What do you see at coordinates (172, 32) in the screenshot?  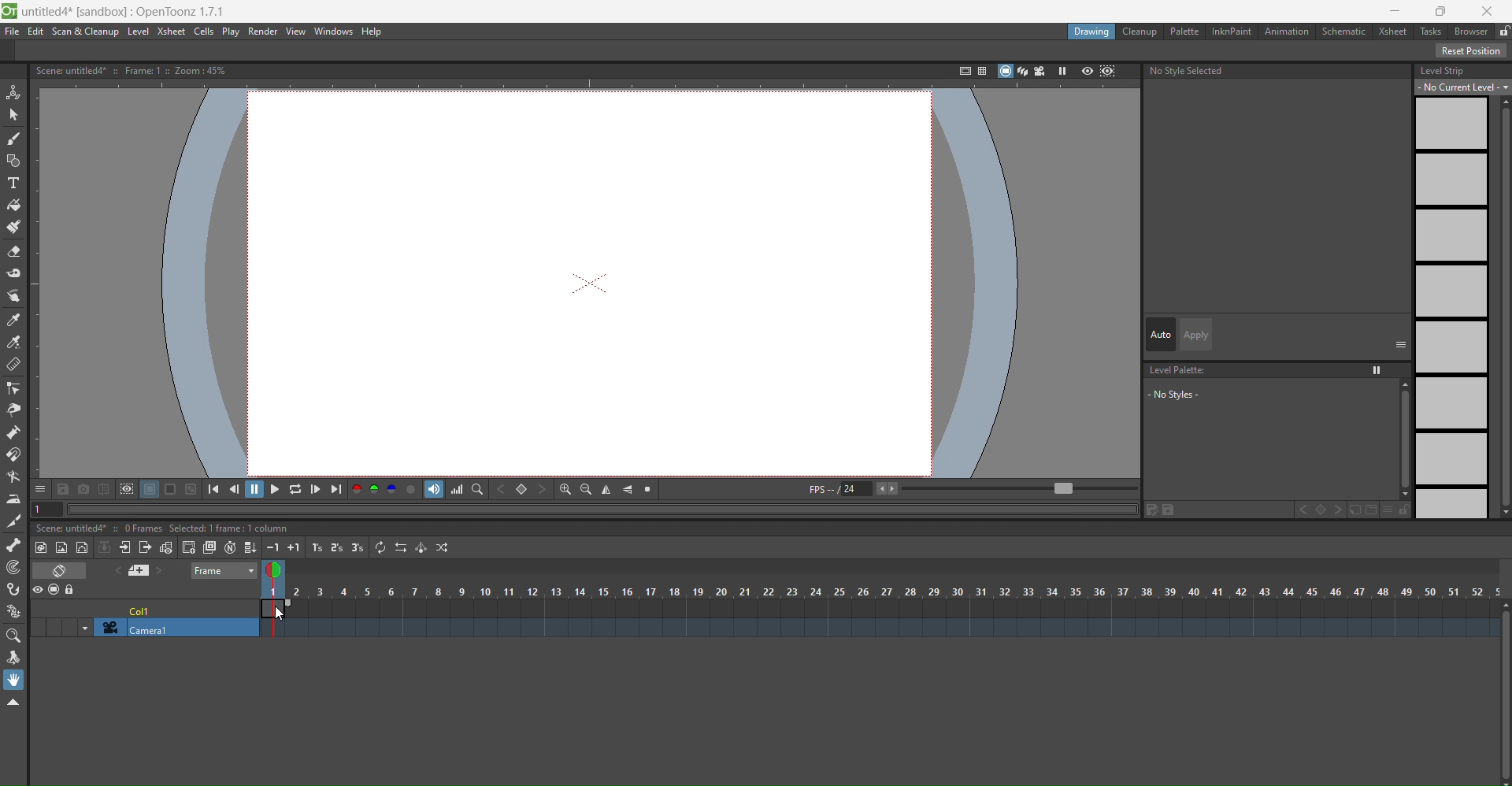 I see `xsheet` at bounding box center [172, 32].